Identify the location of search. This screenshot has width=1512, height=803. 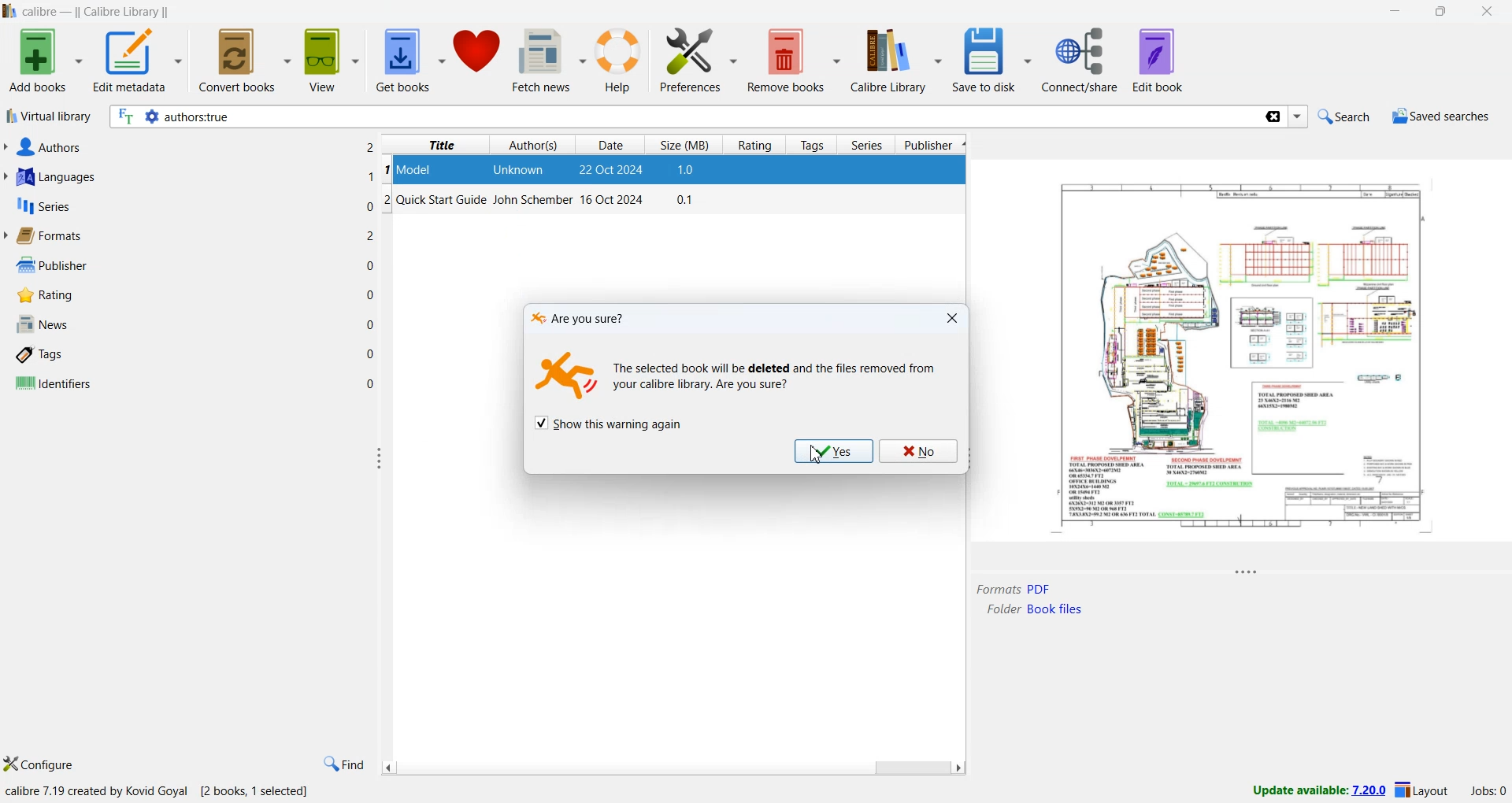
(1341, 116).